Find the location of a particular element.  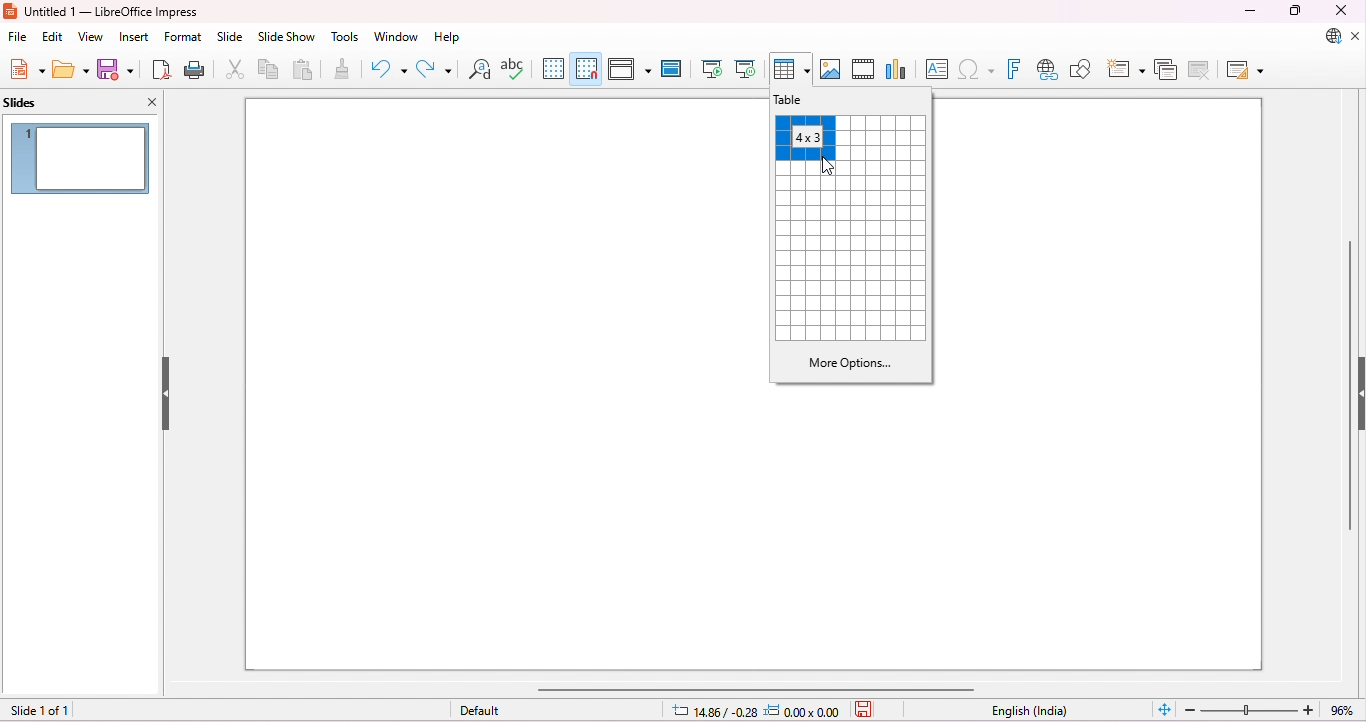

edit is located at coordinates (54, 37).